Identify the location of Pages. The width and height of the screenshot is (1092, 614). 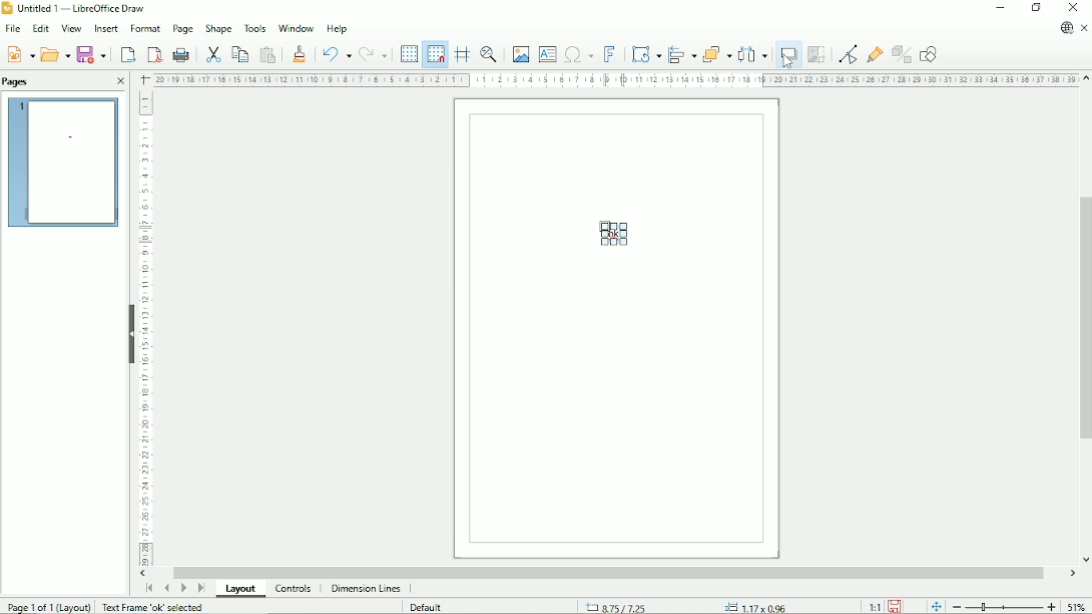
(21, 82).